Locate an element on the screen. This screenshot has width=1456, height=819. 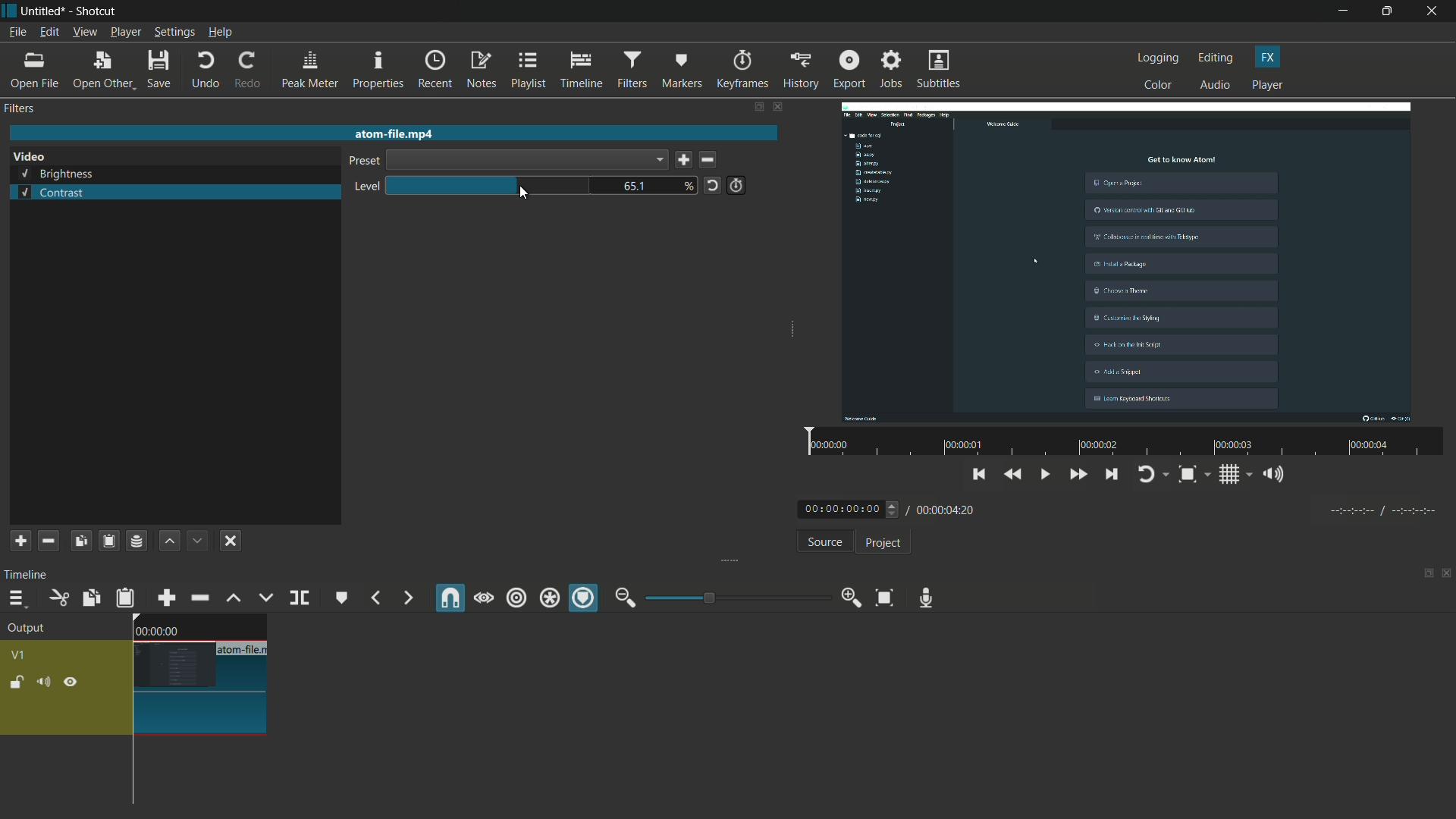
toggle play/pause is located at coordinates (1047, 475).